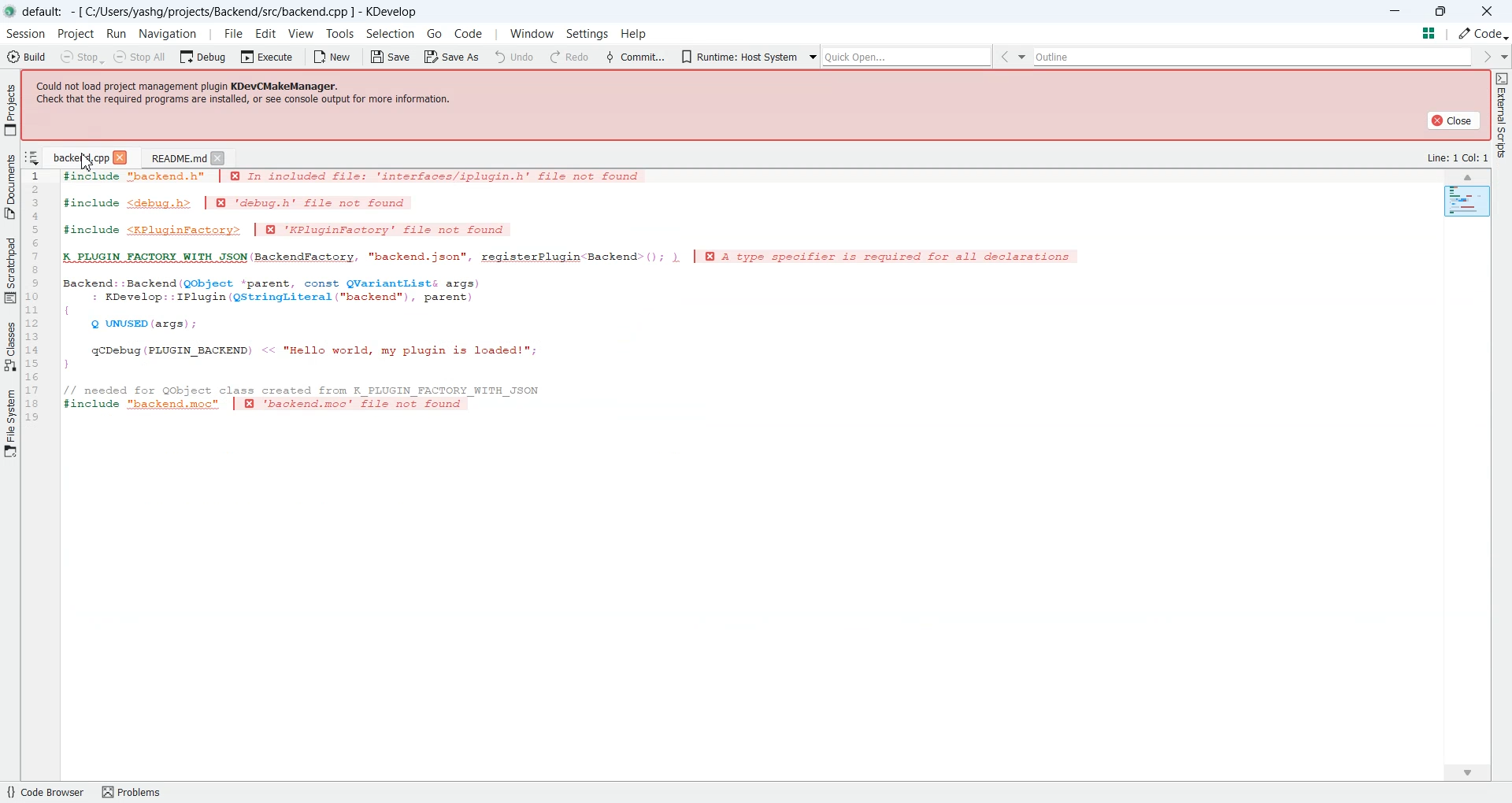 The image size is (1512, 803). I want to click on Projects, so click(11, 109).